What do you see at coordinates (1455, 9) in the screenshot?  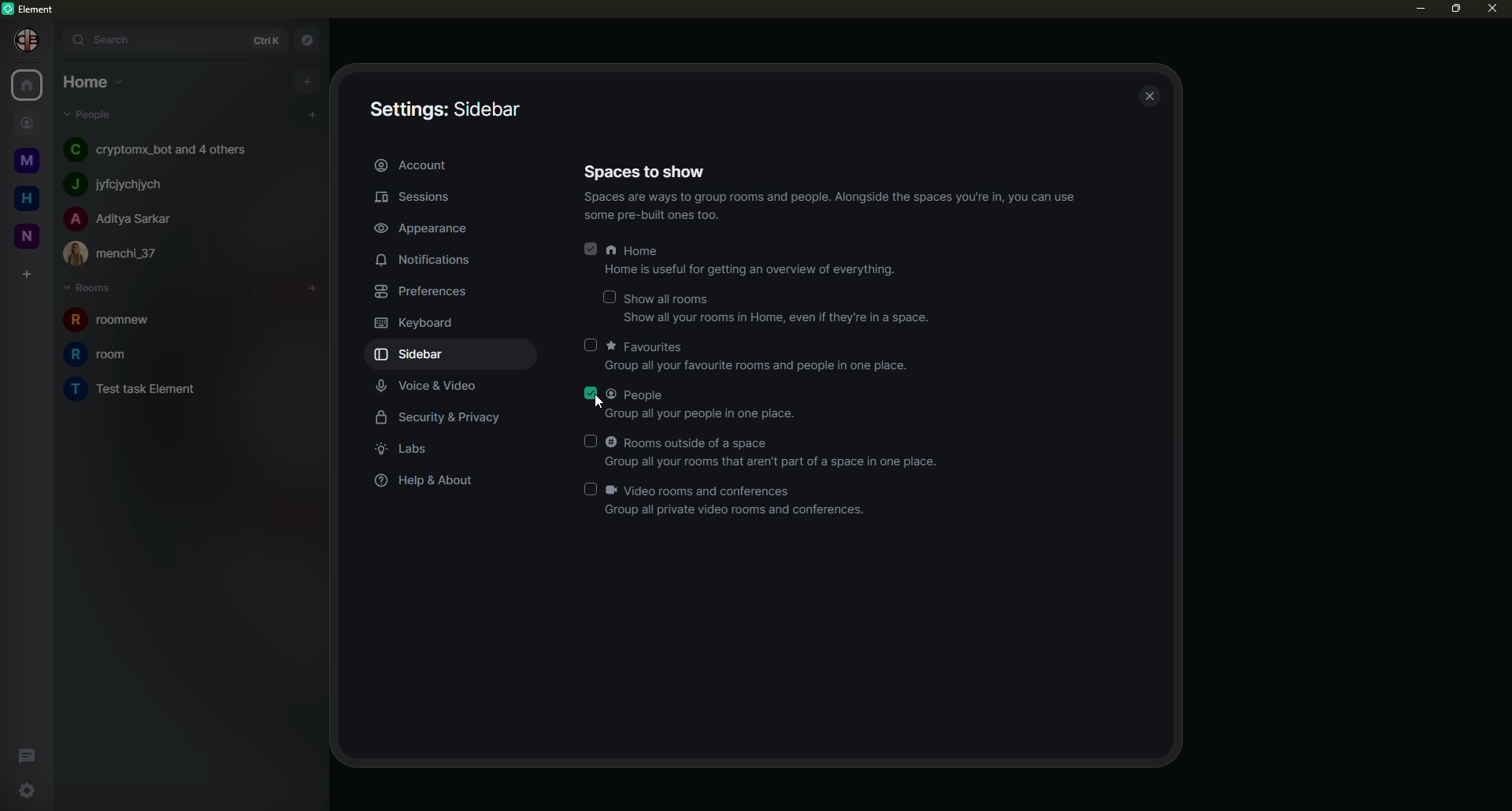 I see `maximize` at bounding box center [1455, 9].